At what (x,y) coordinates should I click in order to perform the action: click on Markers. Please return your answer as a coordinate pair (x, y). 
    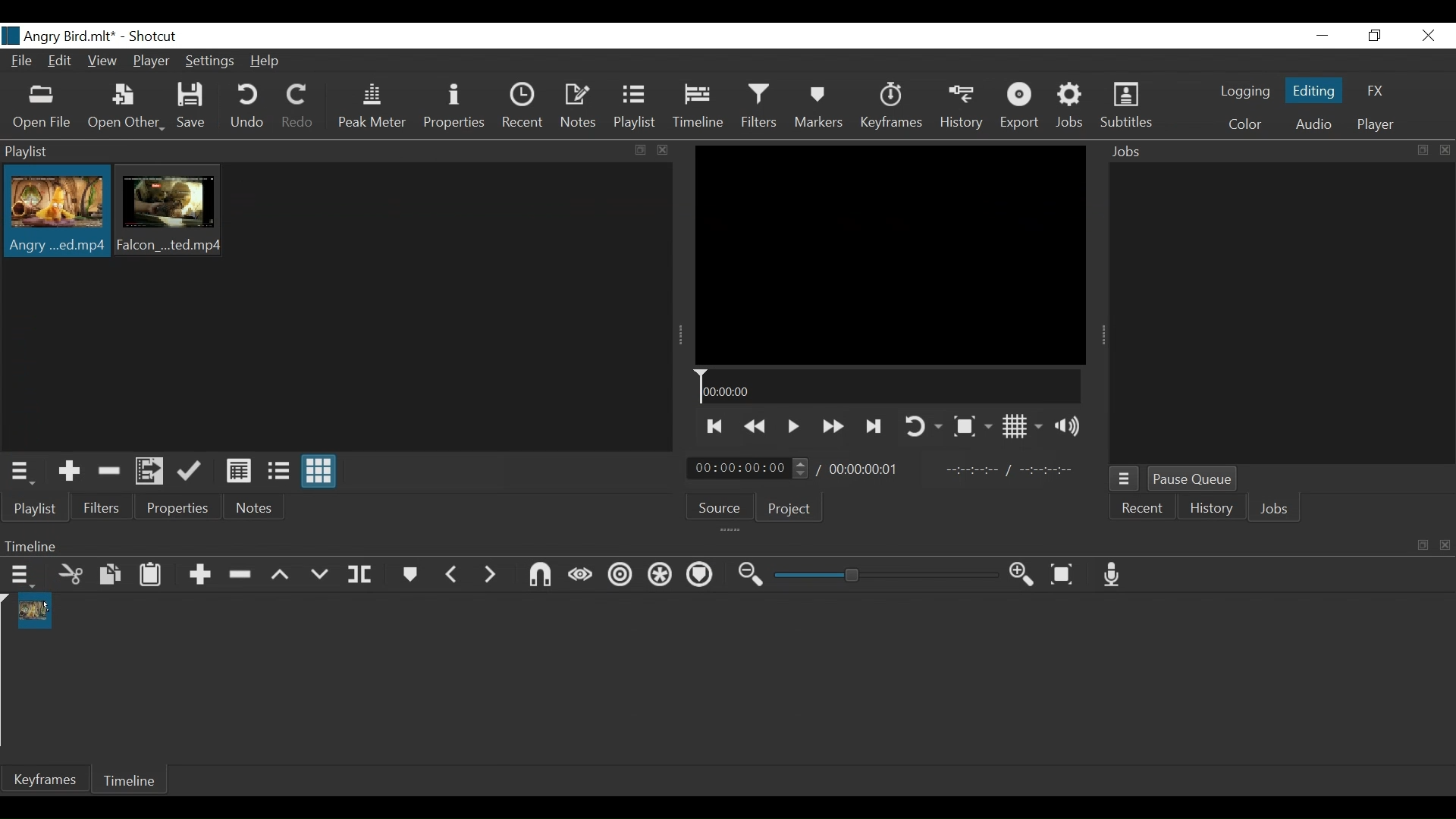
    Looking at the image, I should click on (411, 576).